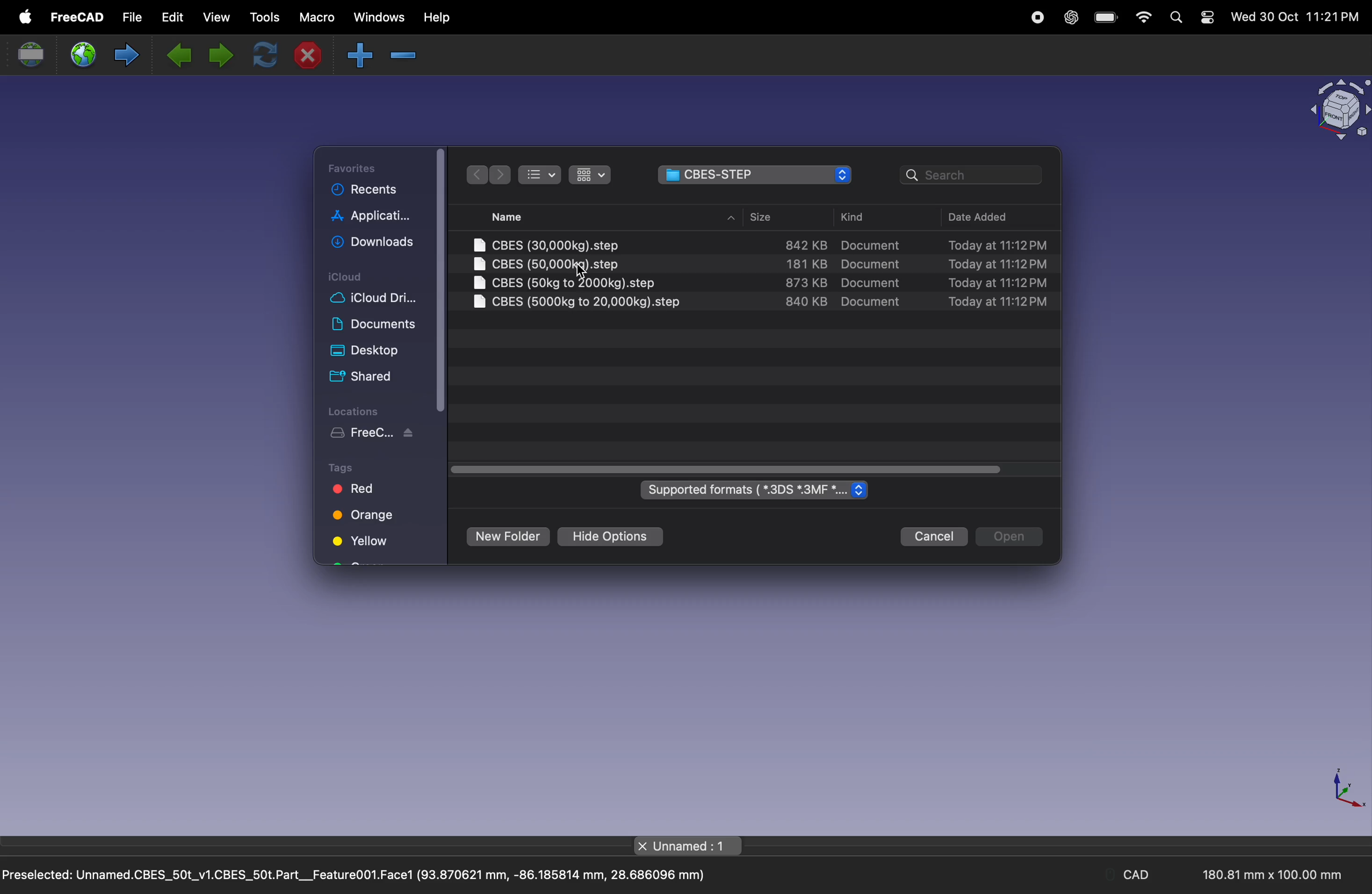 Image resolution: width=1372 pixels, height=894 pixels. What do you see at coordinates (435, 18) in the screenshot?
I see `help` at bounding box center [435, 18].